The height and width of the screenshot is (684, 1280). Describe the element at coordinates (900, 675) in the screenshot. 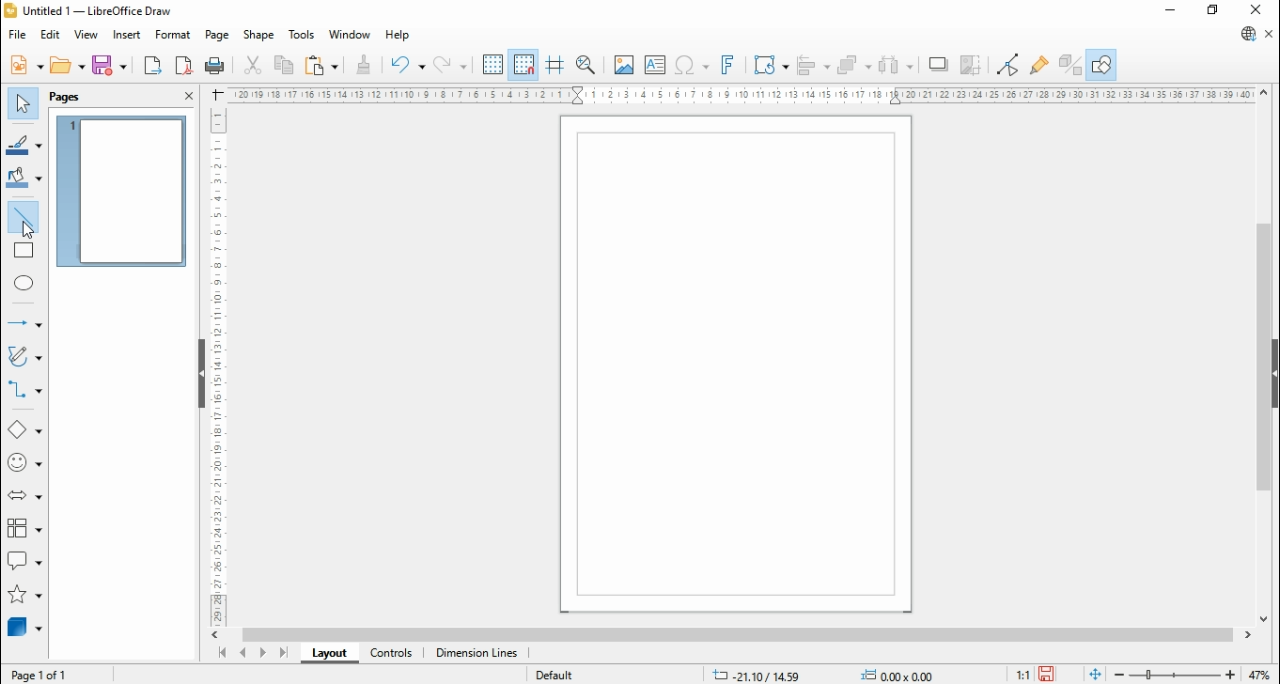

I see `0.00x0.00` at that location.